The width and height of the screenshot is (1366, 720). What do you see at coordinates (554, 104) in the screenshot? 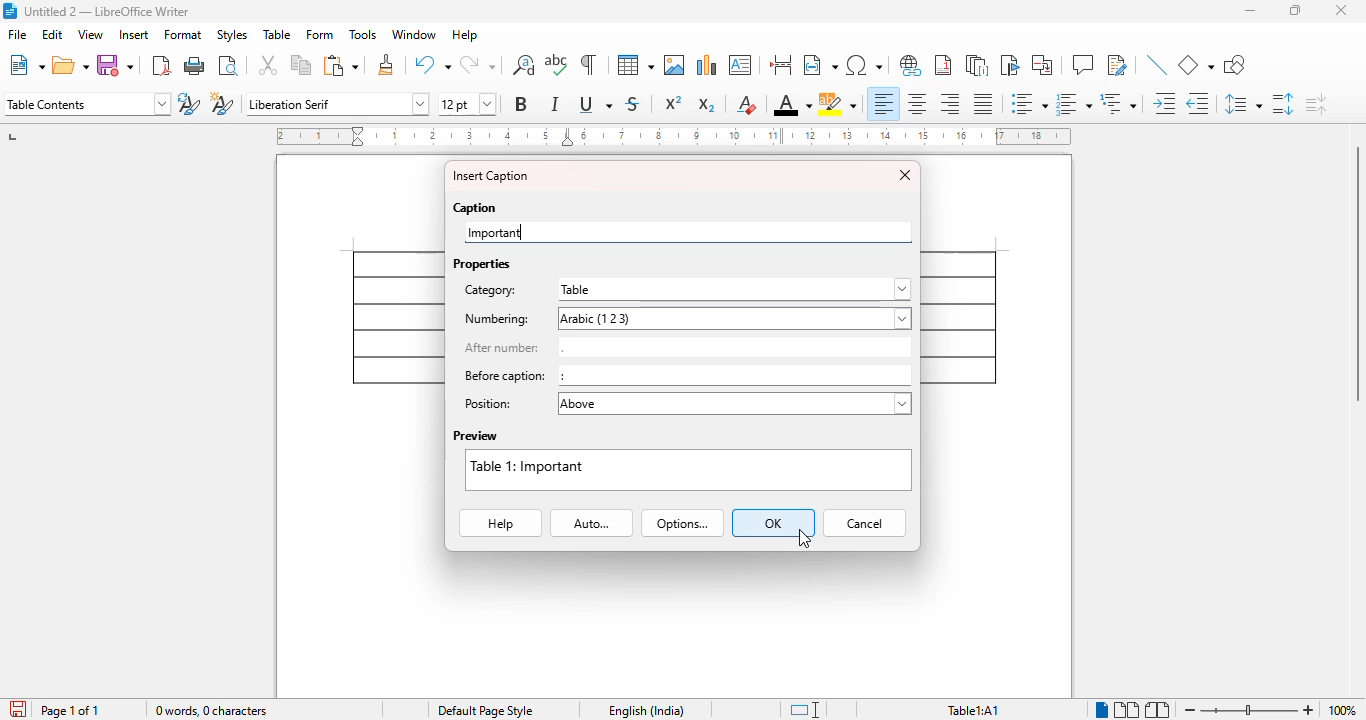
I see `italic` at bounding box center [554, 104].